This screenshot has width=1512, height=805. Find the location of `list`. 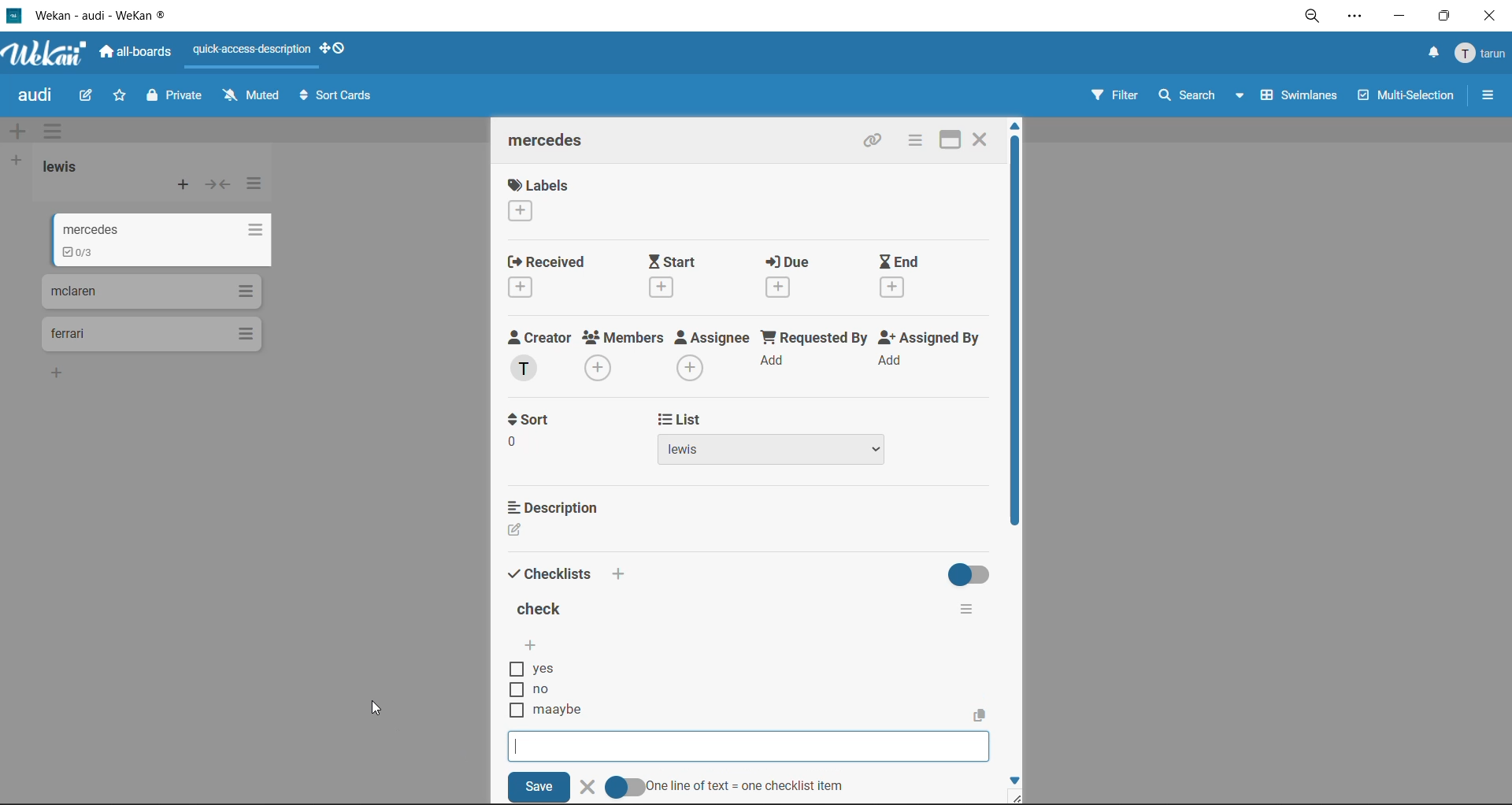

list is located at coordinates (808, 441).